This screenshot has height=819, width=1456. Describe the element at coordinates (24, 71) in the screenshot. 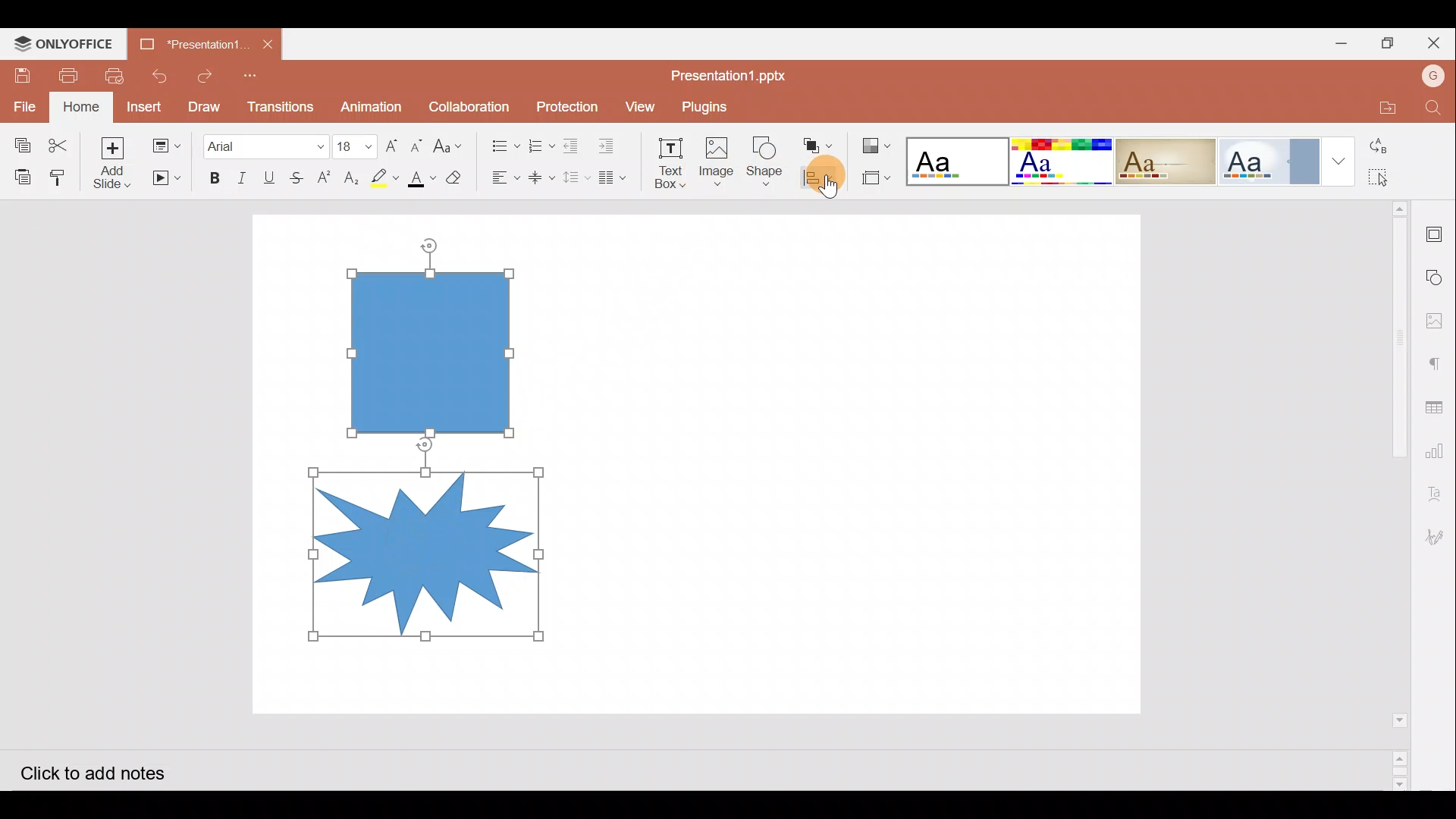

I see `Save` at that location.